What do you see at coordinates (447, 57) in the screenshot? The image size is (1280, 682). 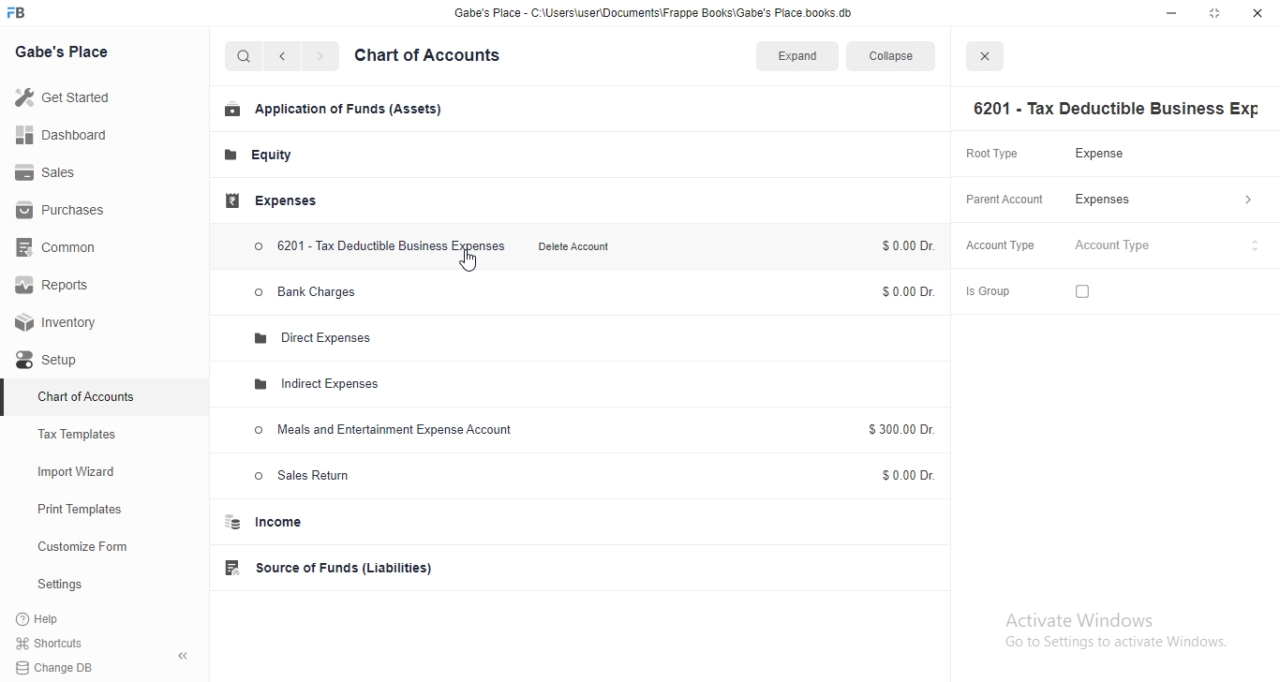 I see `Chart of Accounts.` at bounding box center [447, 57].